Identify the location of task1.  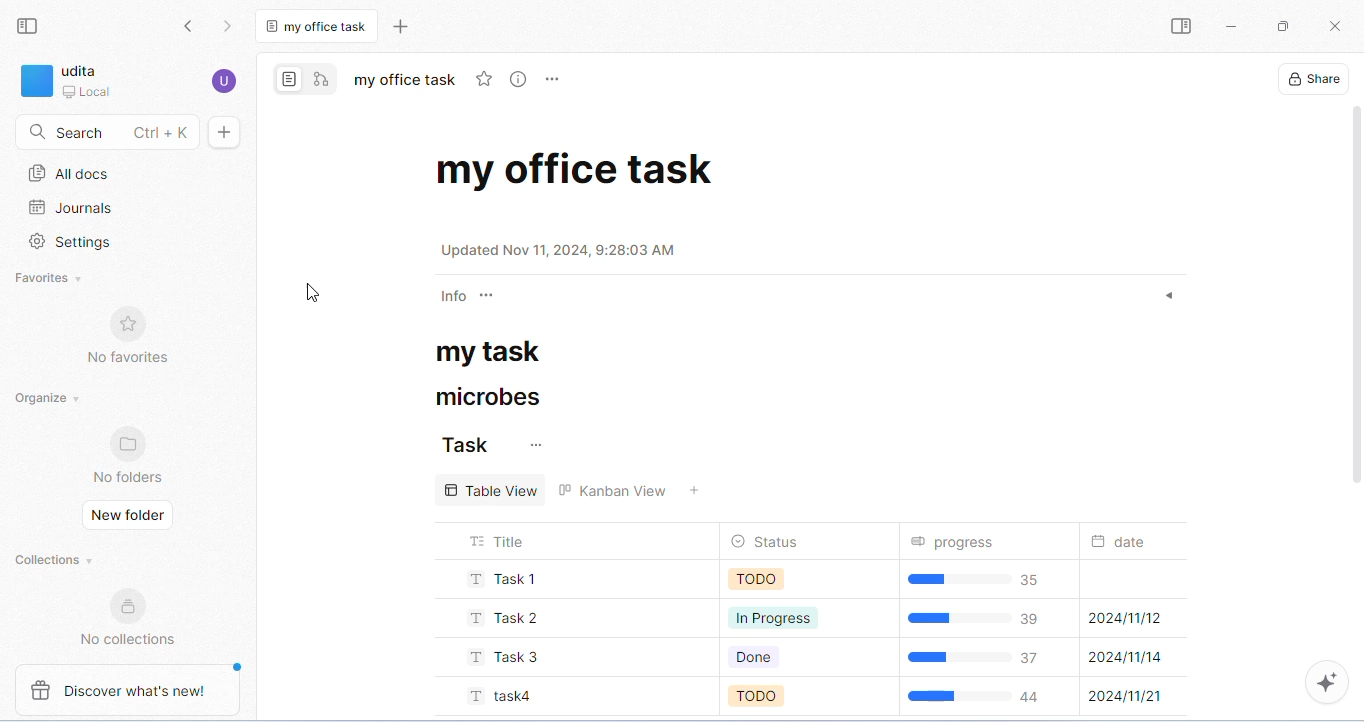
(500, 579).